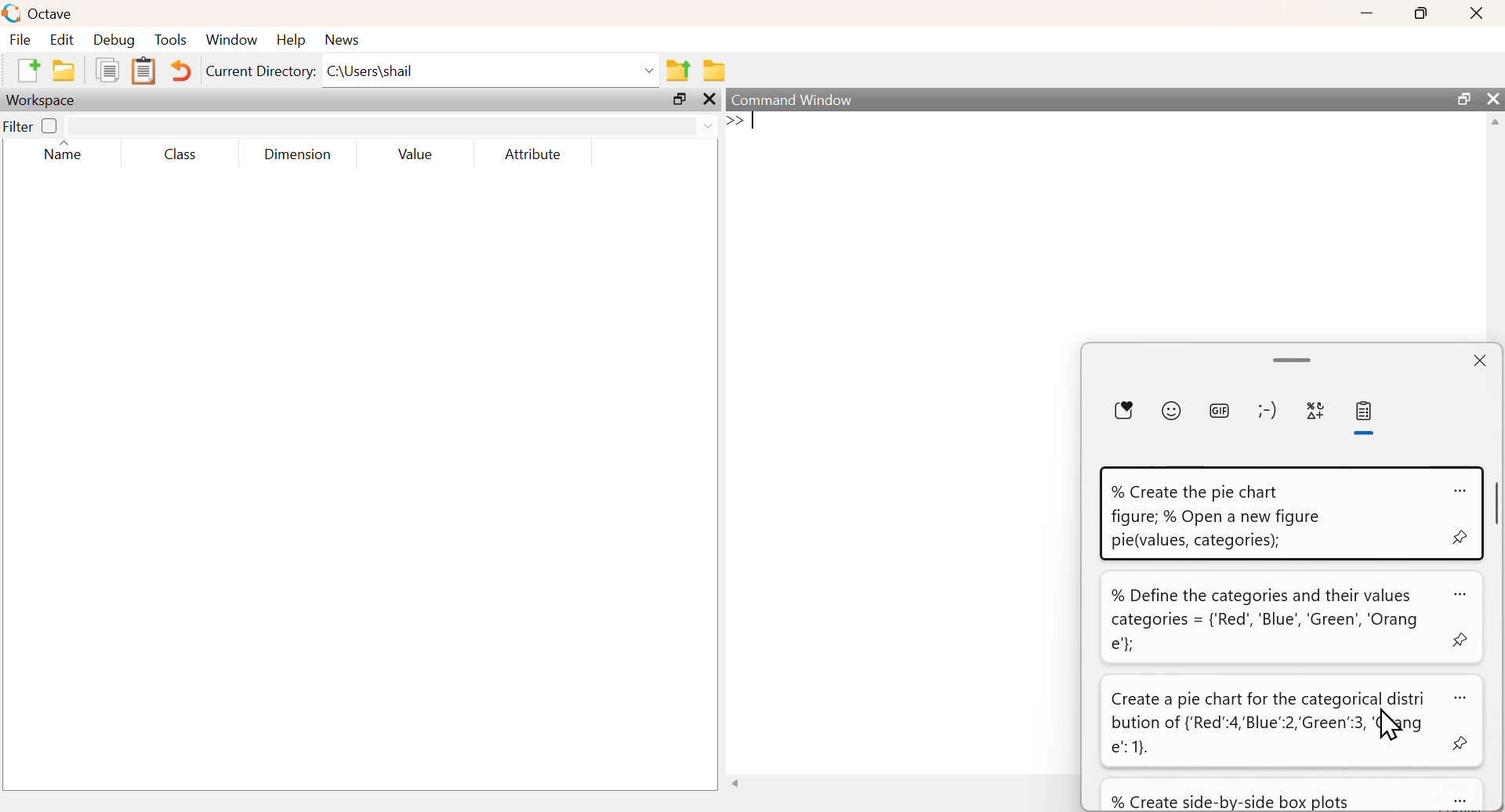 The width and height of the screenshot is (1505, 812). Describe the element at coordinates (1483, 360) in the screenshot. I see `close` at that location.